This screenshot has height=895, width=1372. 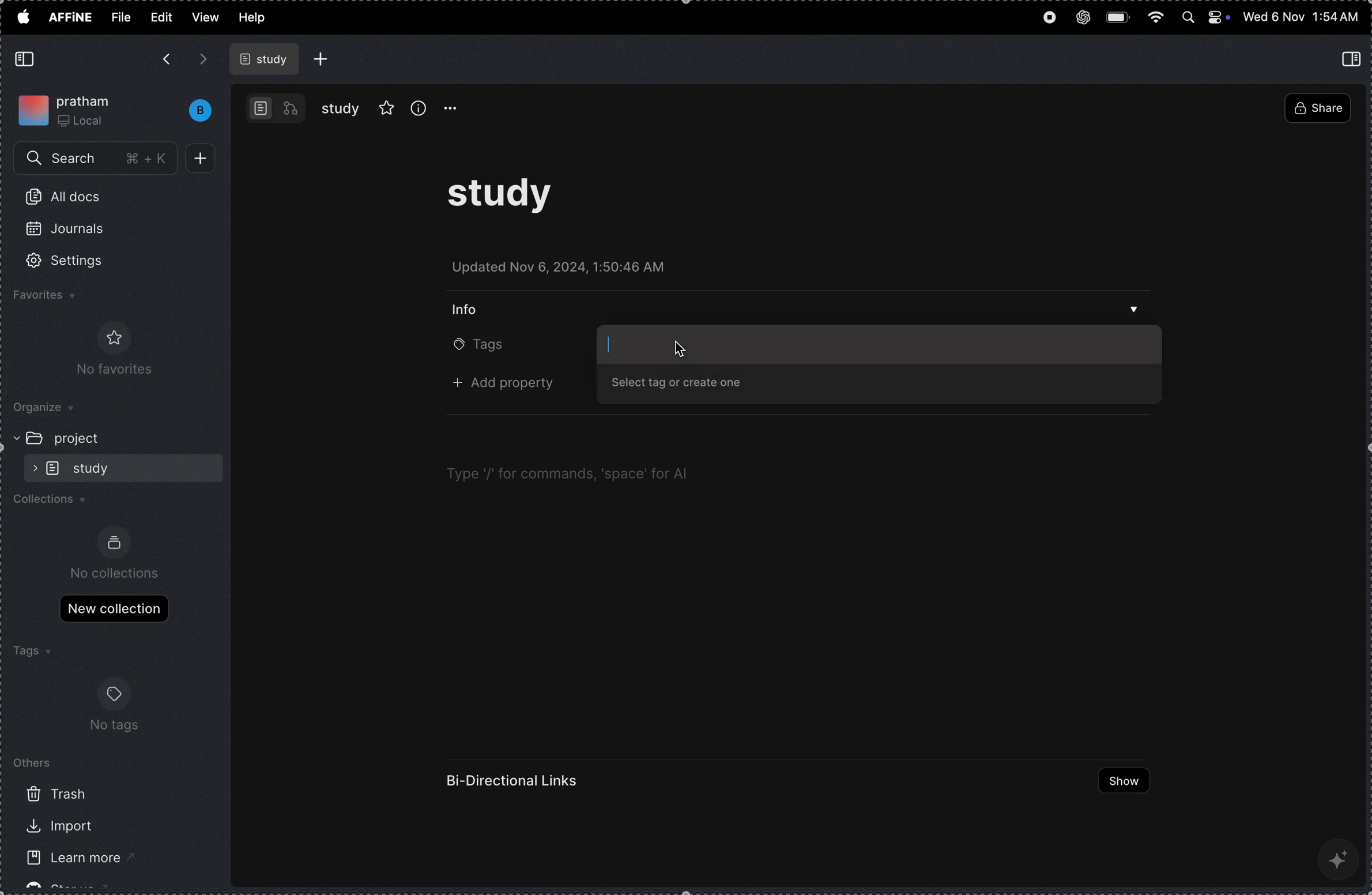 I want to click on trash, so click(x=57, y=794).